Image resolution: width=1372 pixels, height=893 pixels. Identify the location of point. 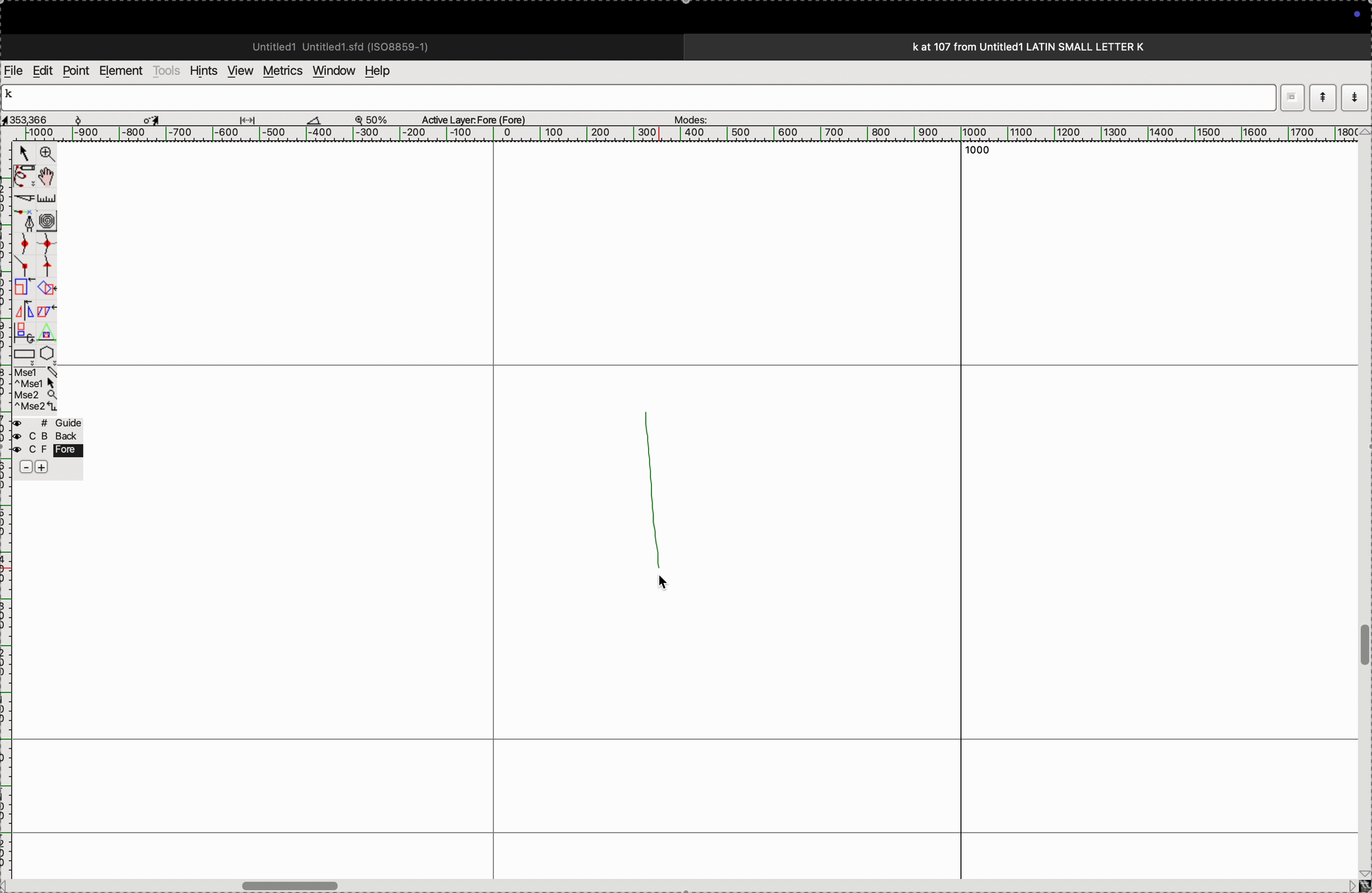
(76, 71).